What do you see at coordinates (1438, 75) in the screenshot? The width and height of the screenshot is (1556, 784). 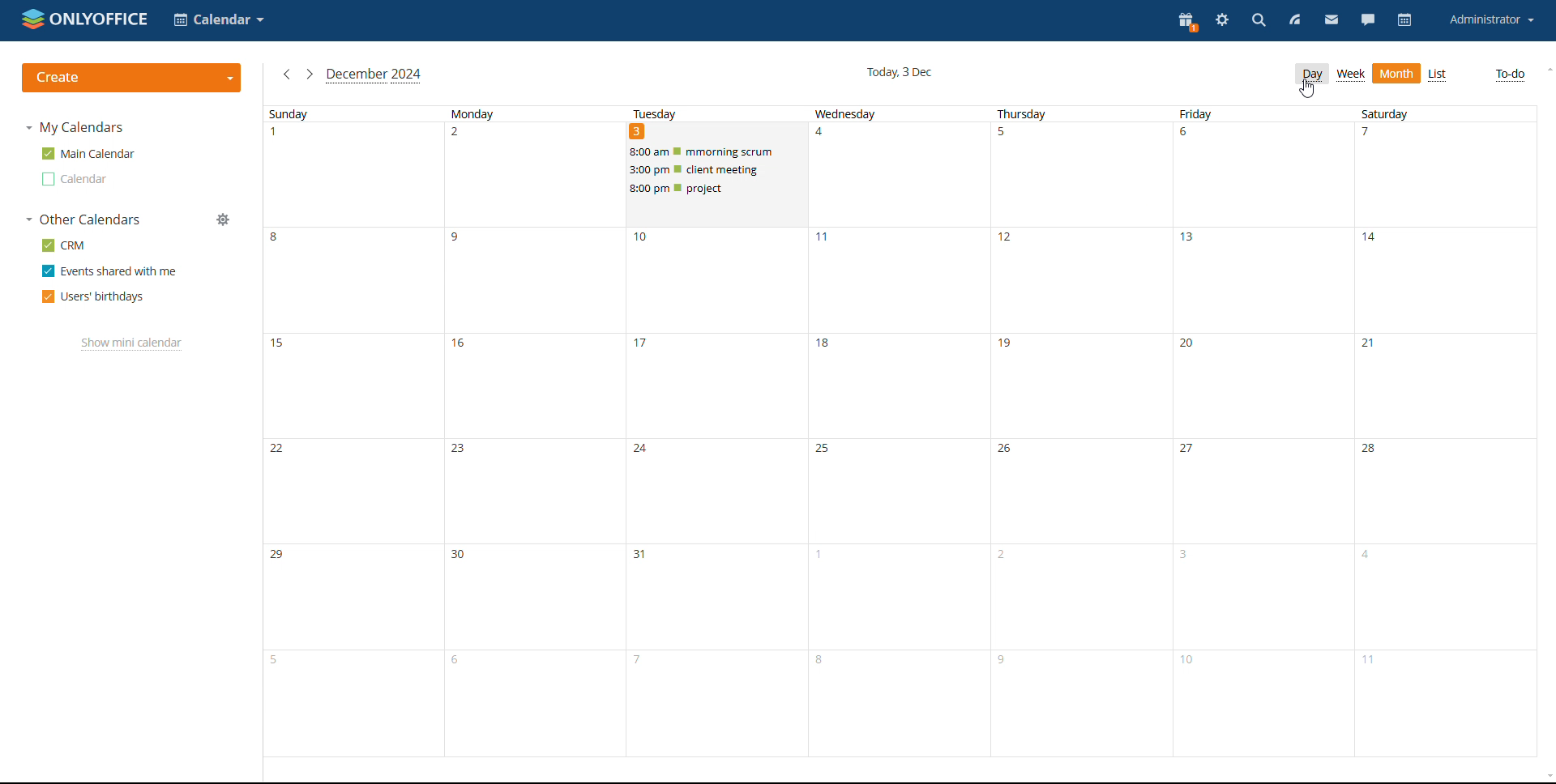 I see `list view` at bounding box center [1438, 75].